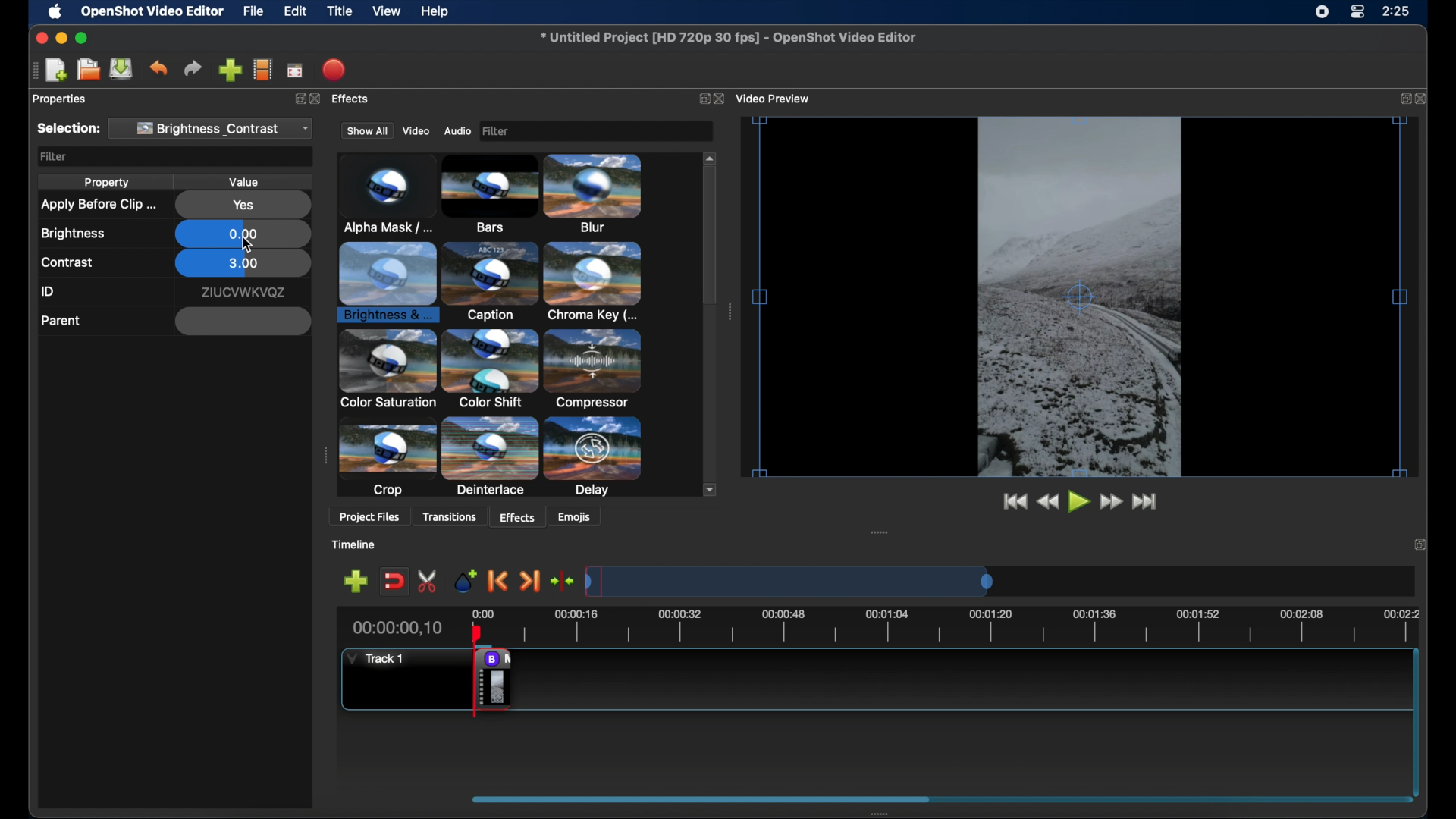 This screenshot has width=1456, height=819. What do you see at coordinates (38, 38) in the screenshot?
I see `close` at bounding box center [38, 38].